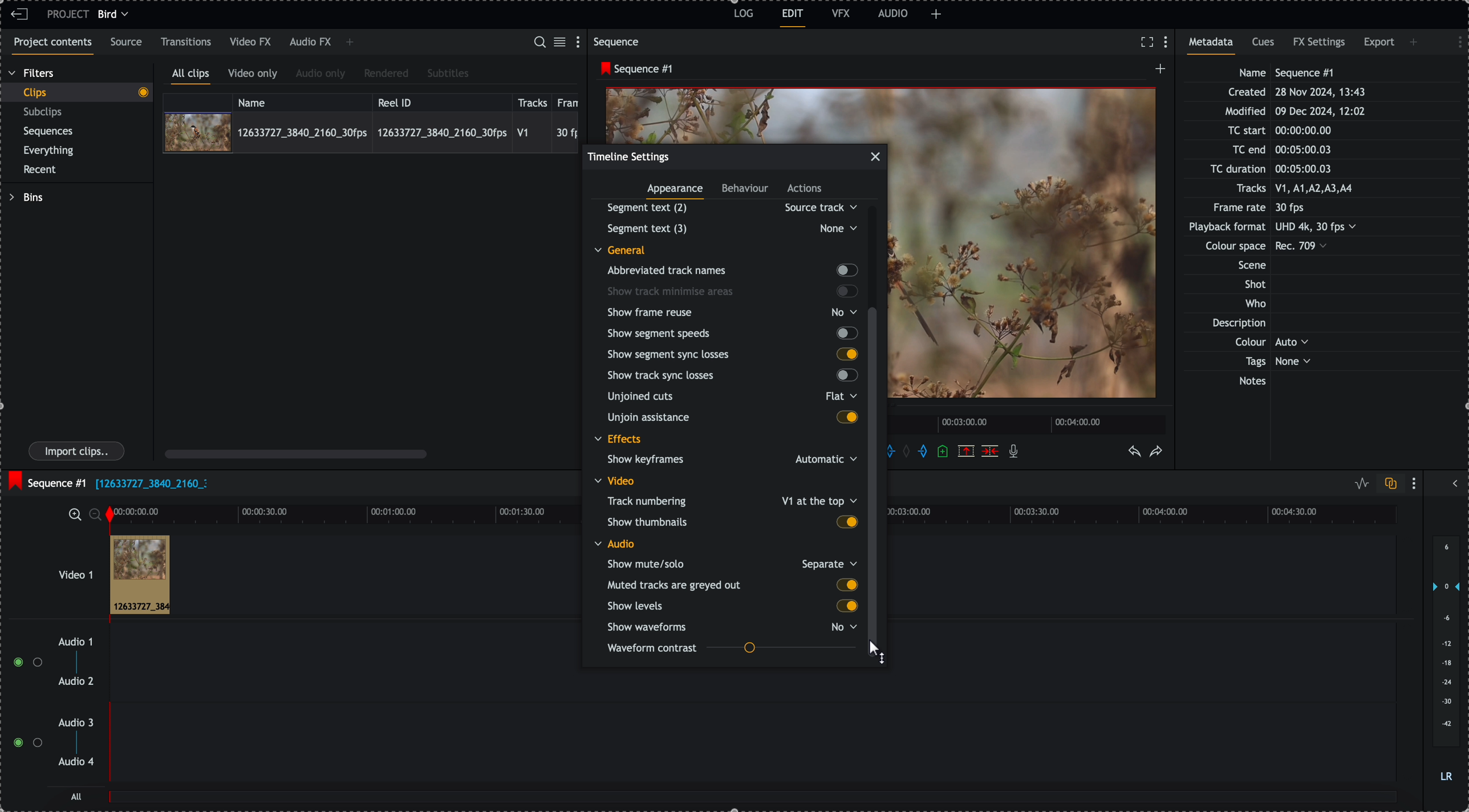 Image resolution: width=1469 pixels, height=812 pixels. What do you see at coordinates (1152, 521) in the screenshot?
I see `timeline` at bounding box center [1152, 521].